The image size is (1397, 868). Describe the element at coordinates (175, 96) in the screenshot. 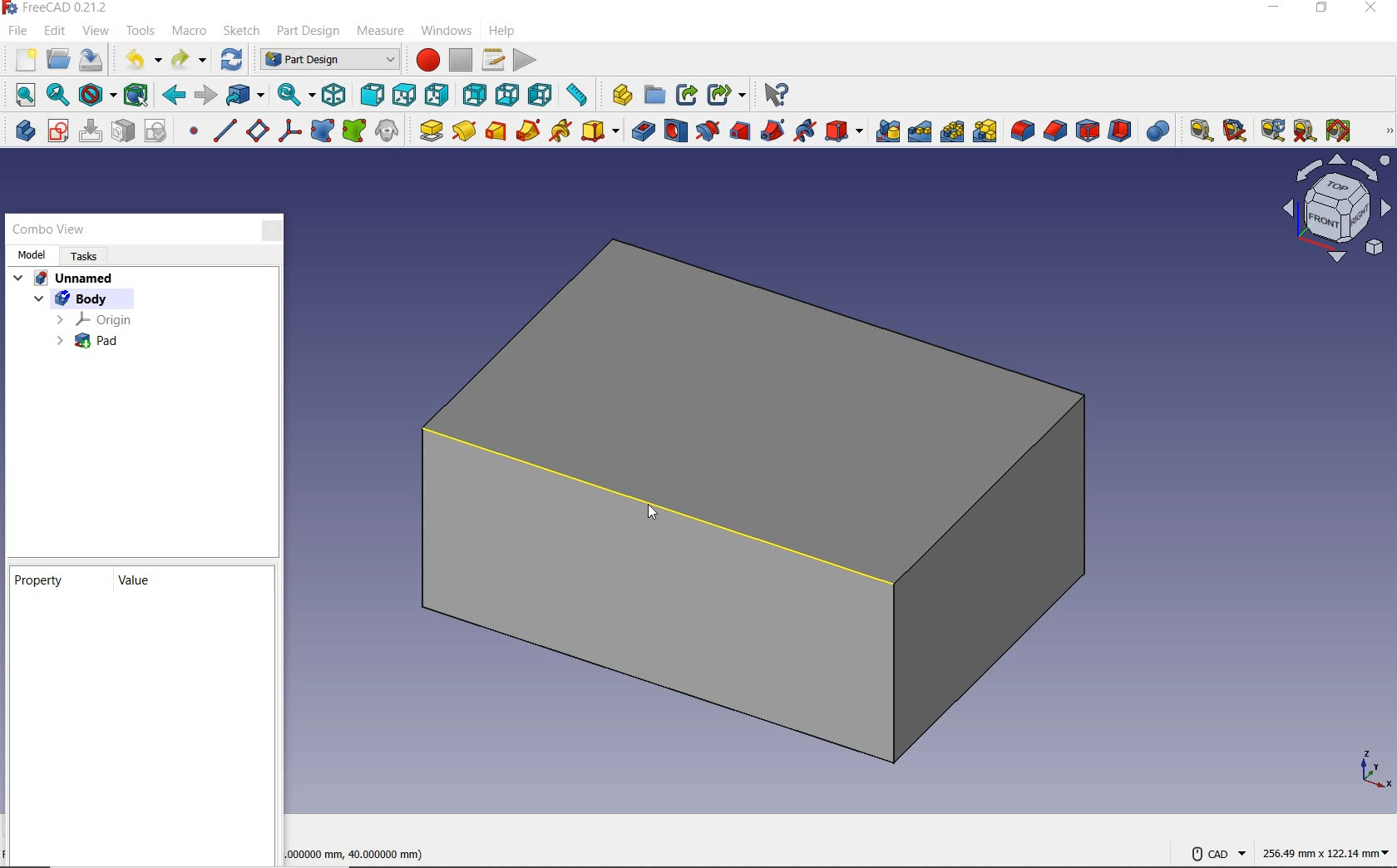

I see `back` at that location.